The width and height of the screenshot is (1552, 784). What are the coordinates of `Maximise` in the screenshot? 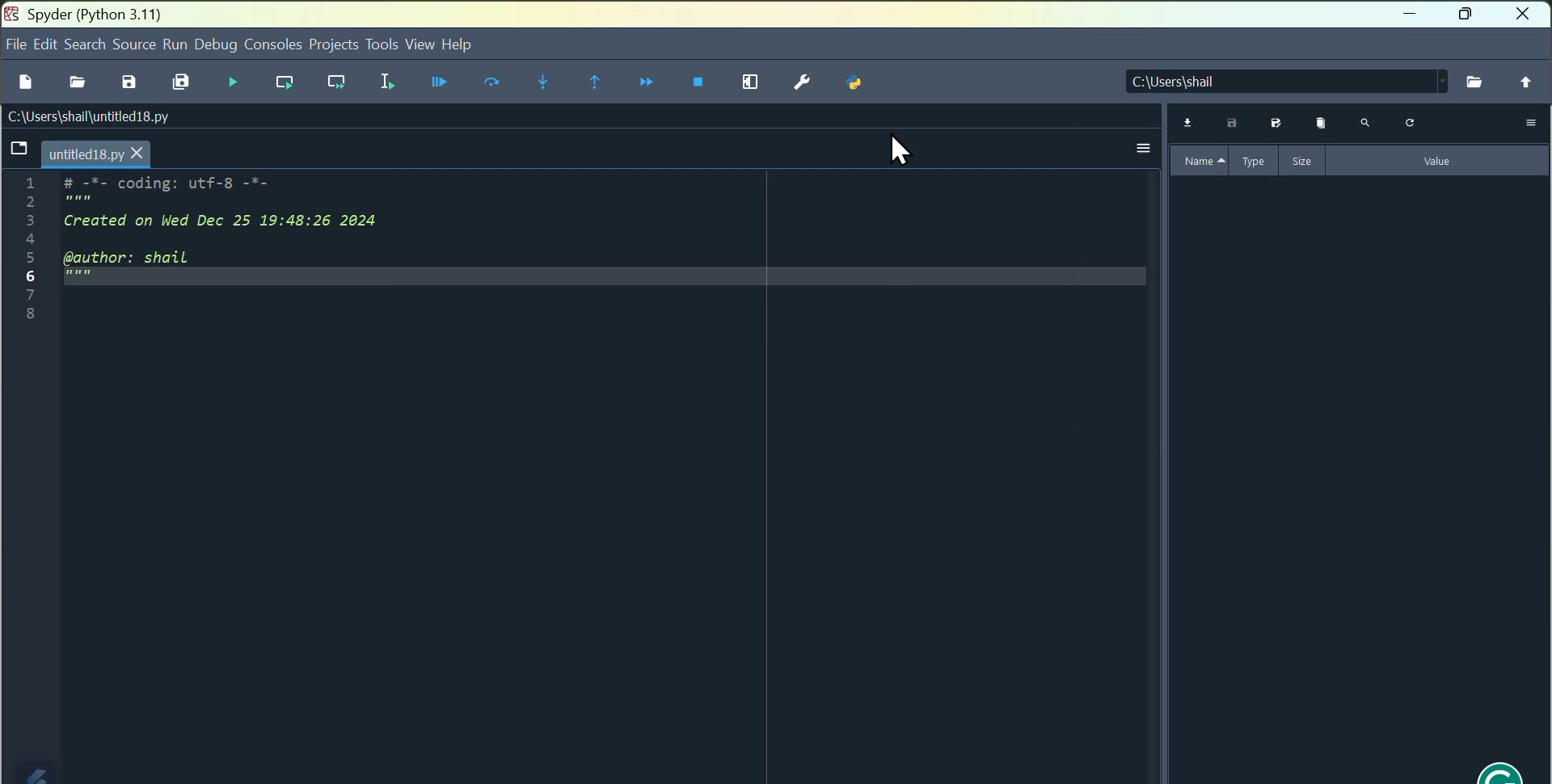 It's located at (1468, 16).